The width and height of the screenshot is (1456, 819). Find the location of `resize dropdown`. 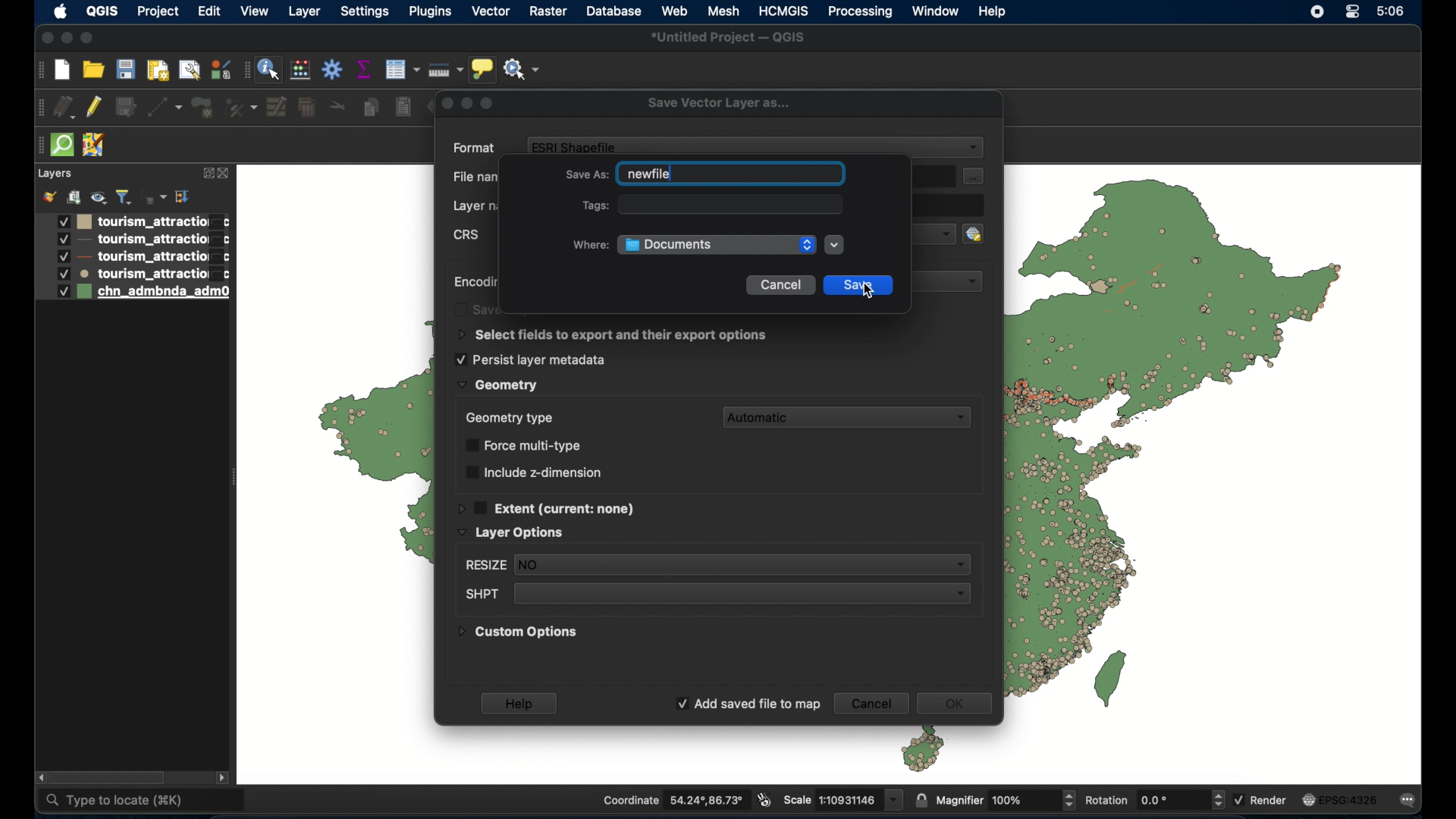

resize dropdown is located at coordinates (715, 566).